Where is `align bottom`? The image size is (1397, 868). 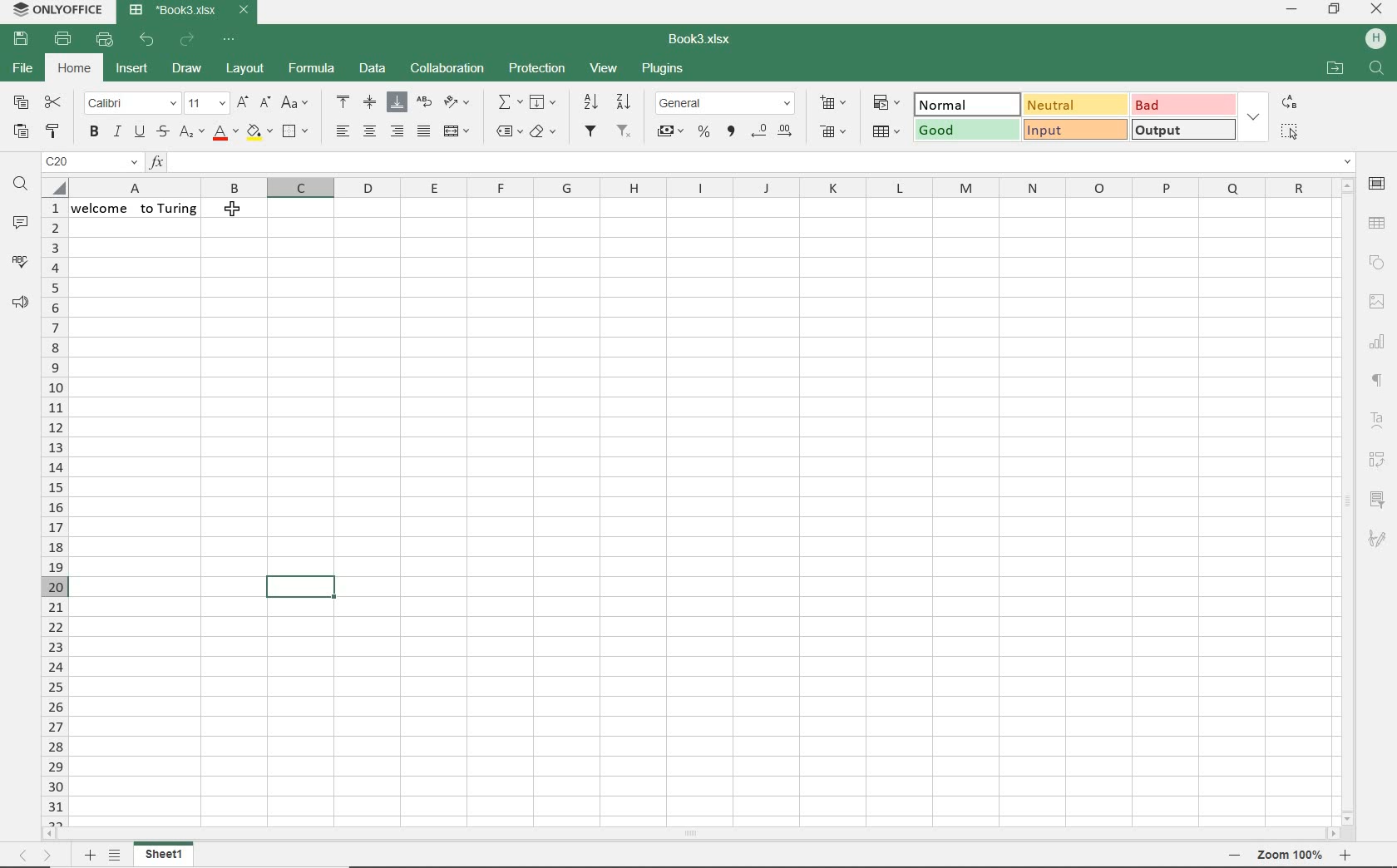 align bottom is located at coordinates (396, 101).